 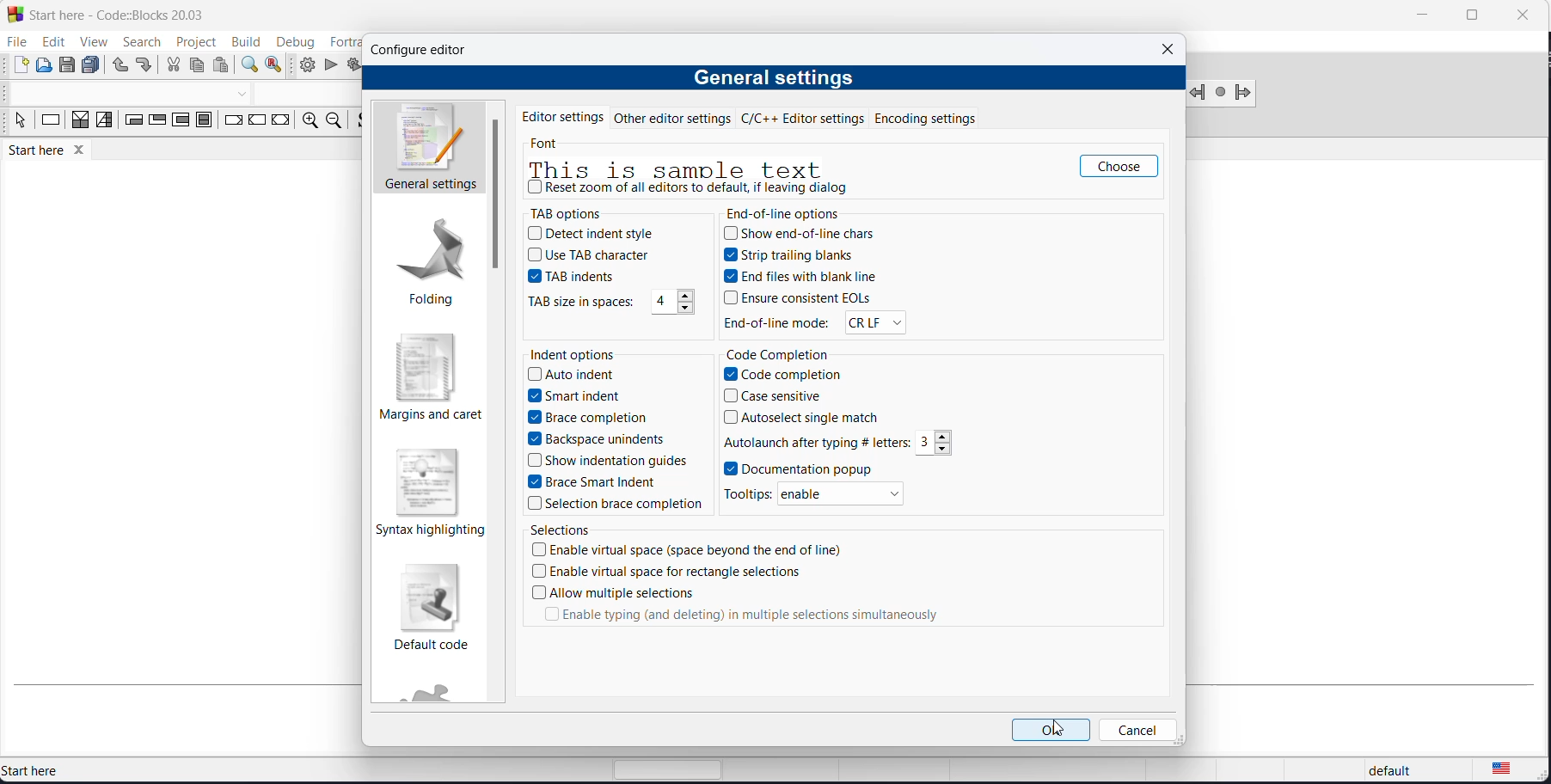 I want to click on use TAB character, so click(x=591, y=256).